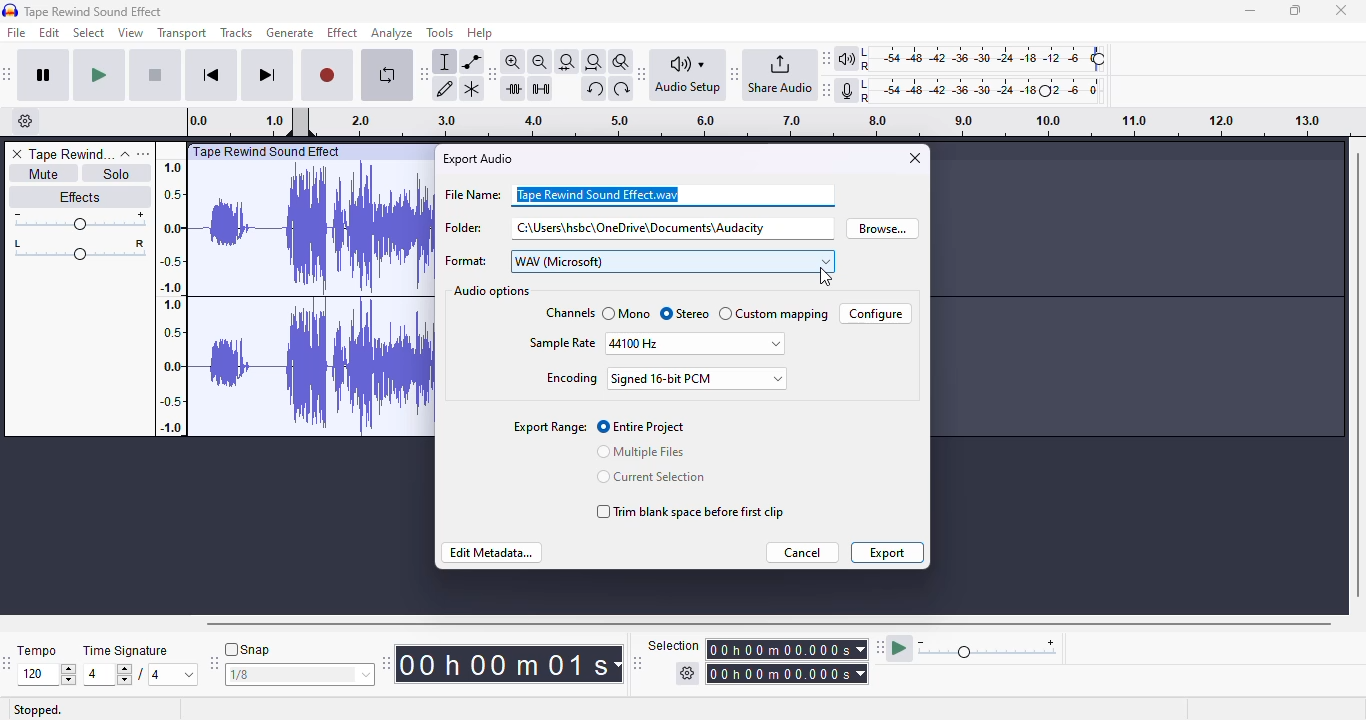 The width and height of the screenshot is (1366, 720). I want to click on entire project, so click(641, 427).